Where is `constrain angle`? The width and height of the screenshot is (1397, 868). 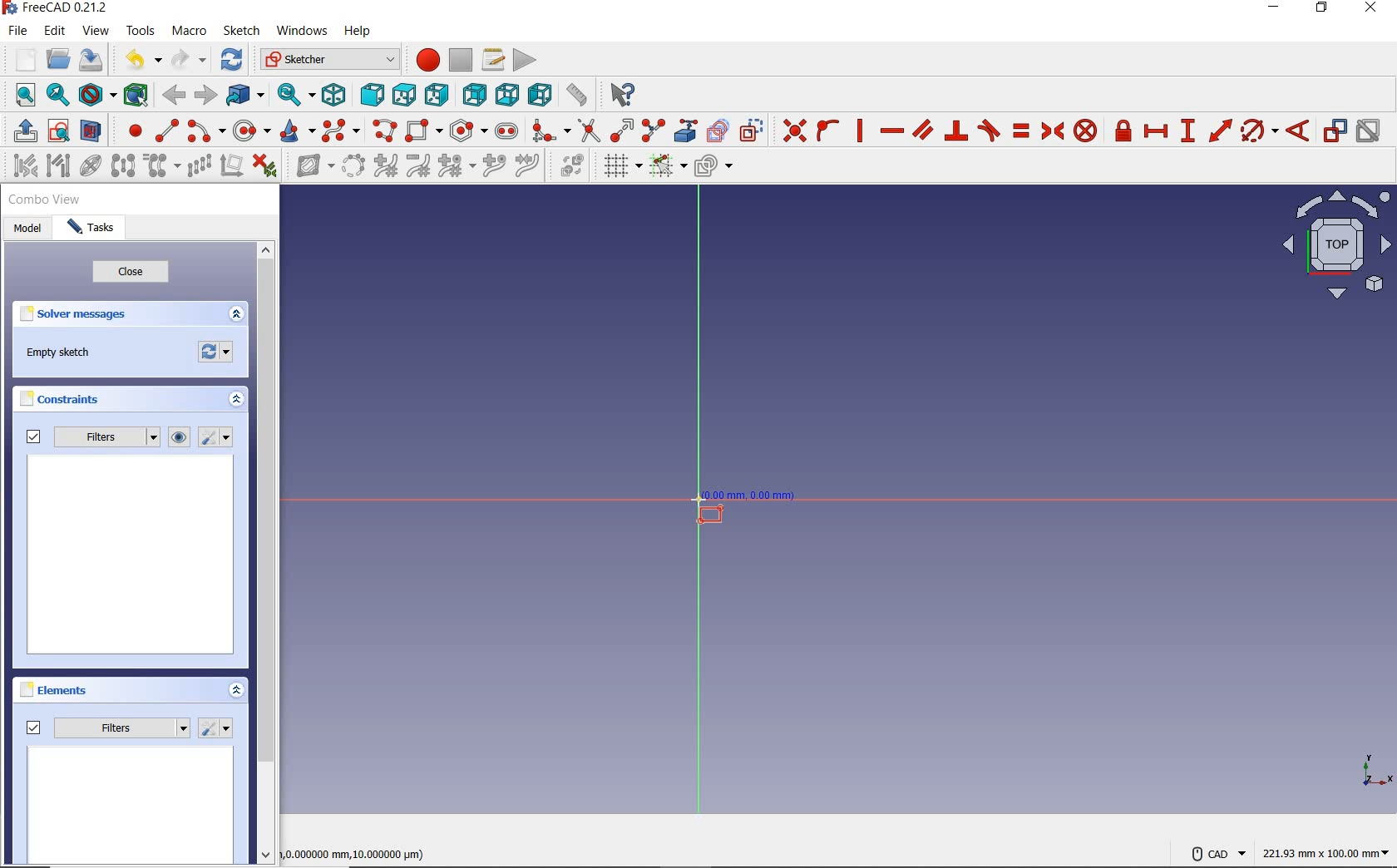
constrain angle is located at coordinates (1299, 131).